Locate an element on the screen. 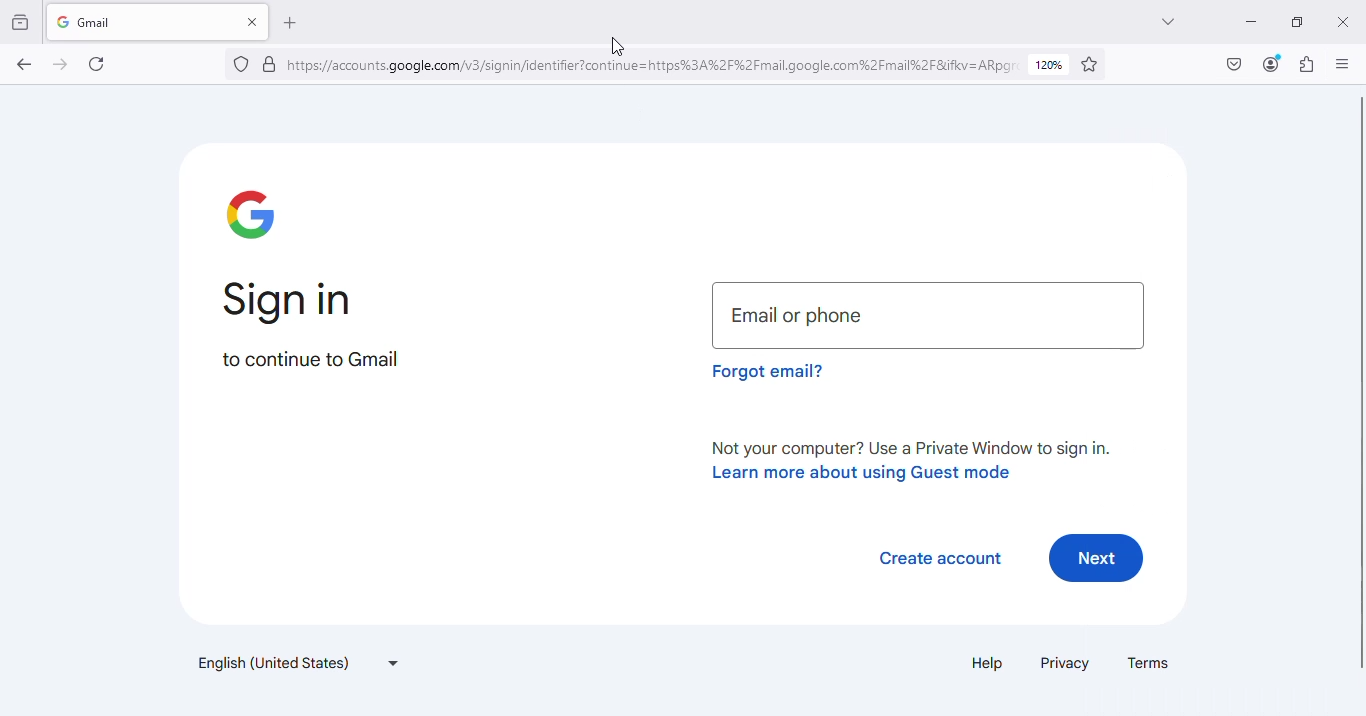 This screenshot has width=1366, height=716. no trackers known to firefox were detected on this page is located at coordinates (242, 64).